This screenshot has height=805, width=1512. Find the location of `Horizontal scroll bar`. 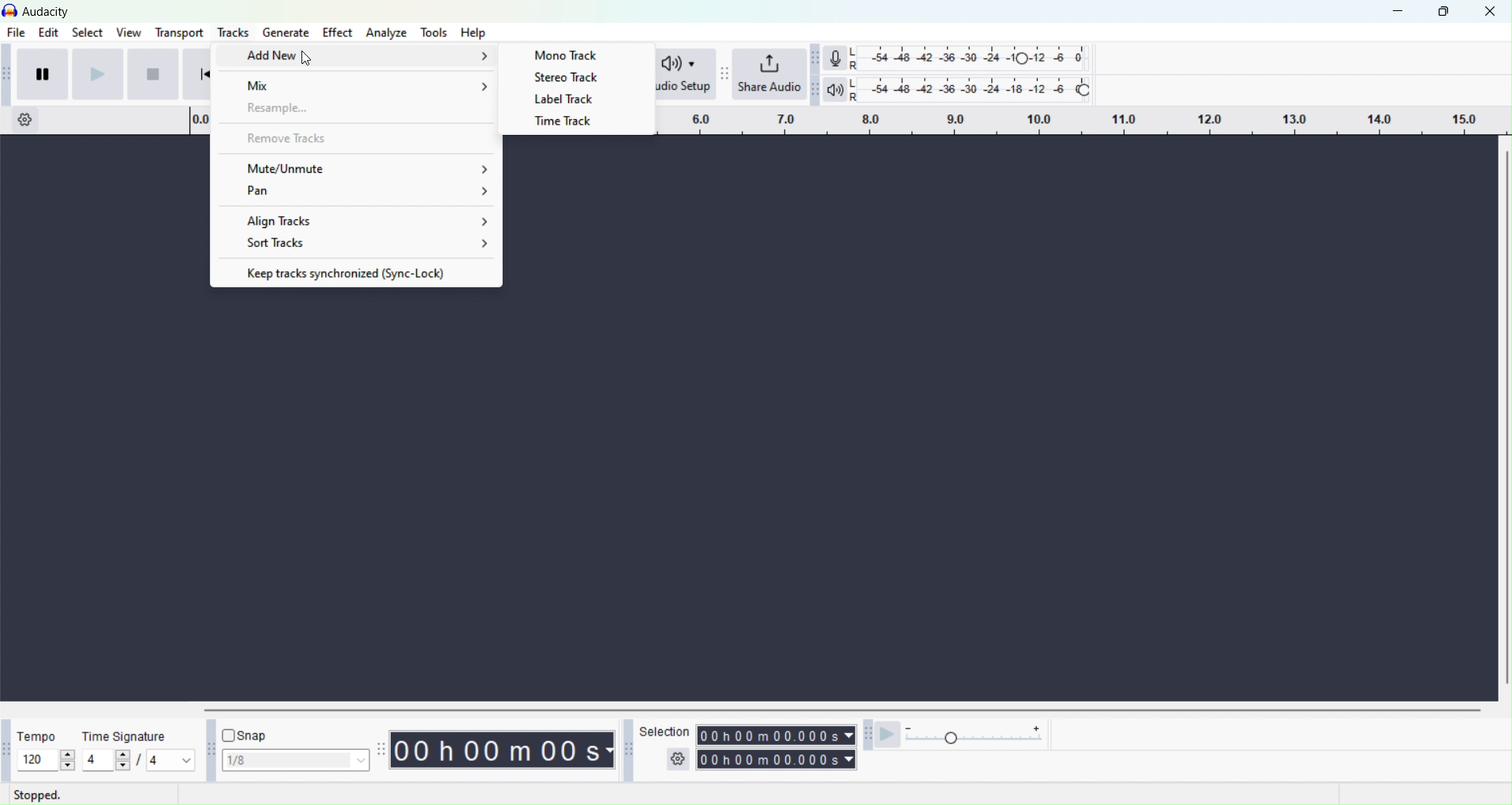

Horizontal scroll bar is located at coordinates (1503, 418).